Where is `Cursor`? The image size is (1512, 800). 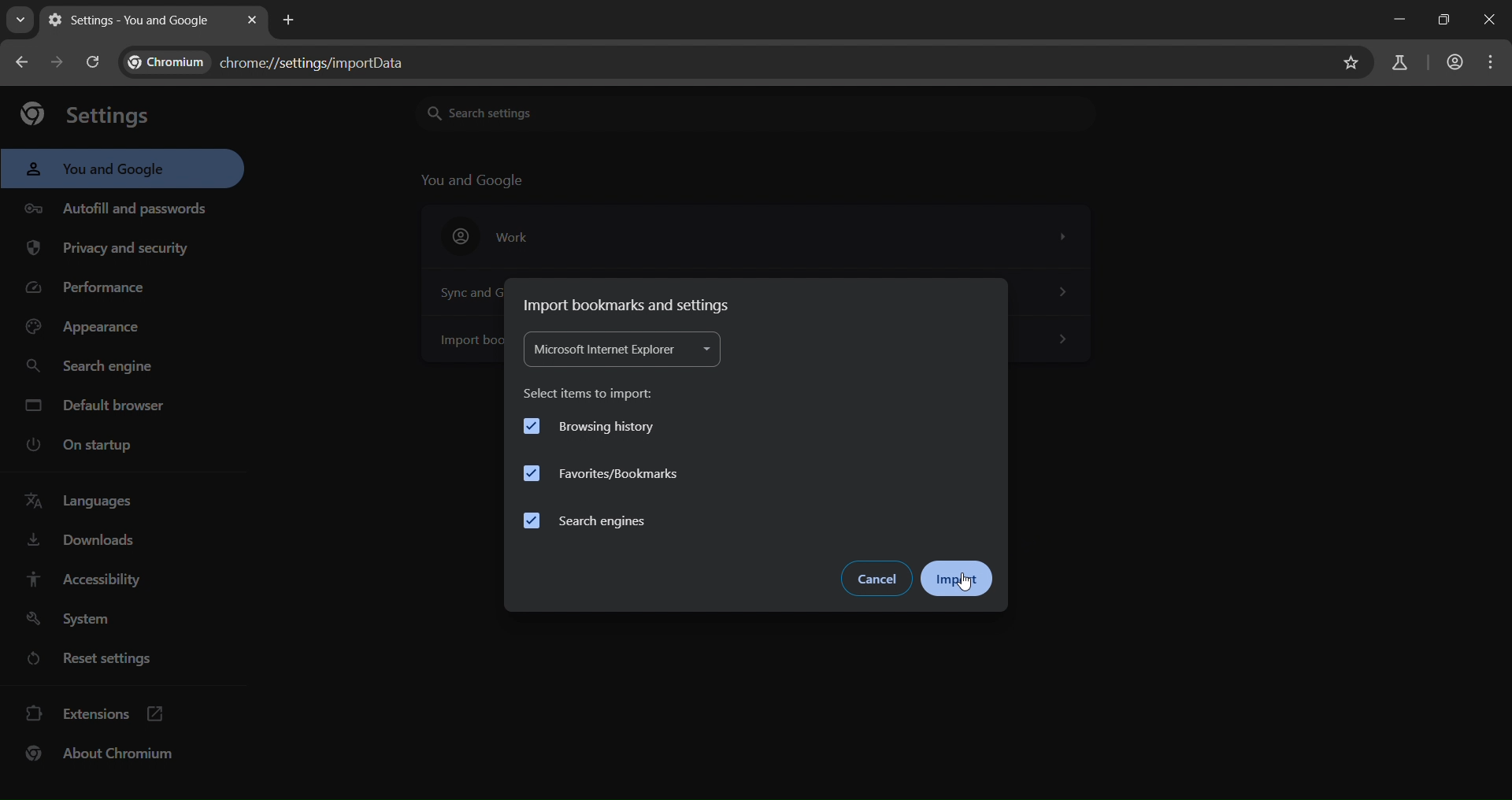 Cursor is located at coordinates (964, 582).